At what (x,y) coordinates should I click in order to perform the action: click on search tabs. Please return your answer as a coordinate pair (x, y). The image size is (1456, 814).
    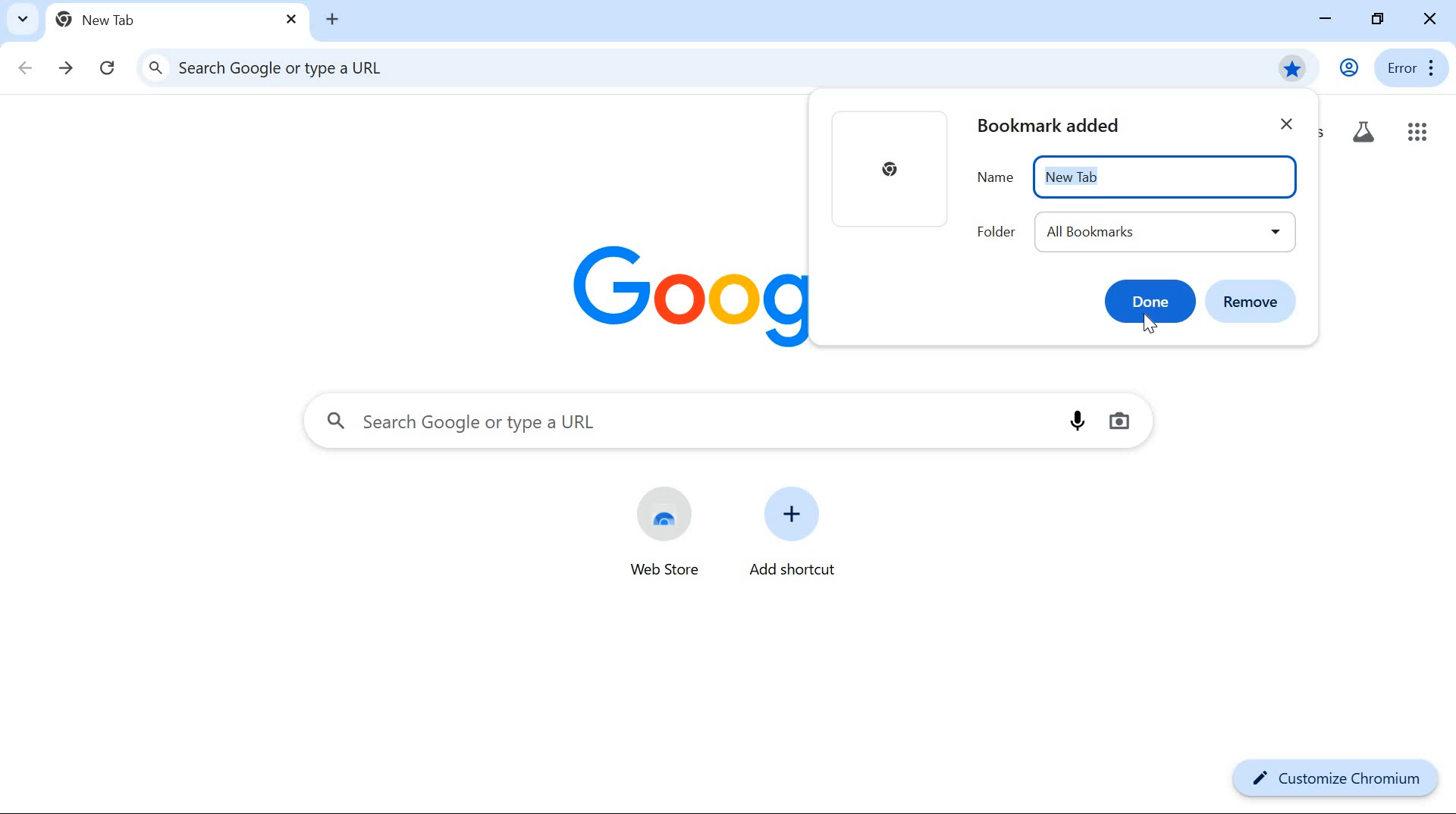
    Looking at the image, I should click on (22, 19).